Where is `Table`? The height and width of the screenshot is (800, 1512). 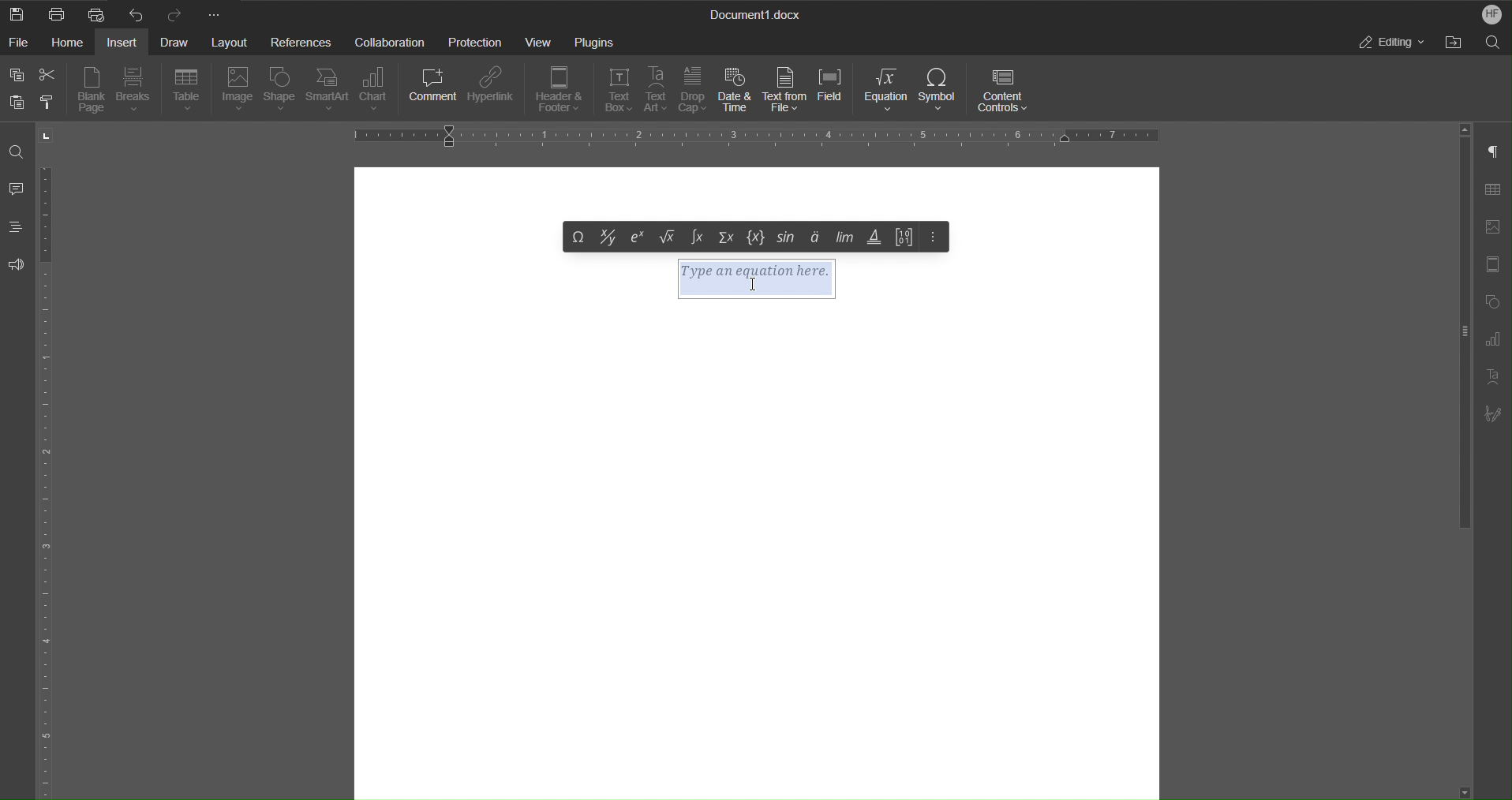
Table is located at coordinates (1492, 192).